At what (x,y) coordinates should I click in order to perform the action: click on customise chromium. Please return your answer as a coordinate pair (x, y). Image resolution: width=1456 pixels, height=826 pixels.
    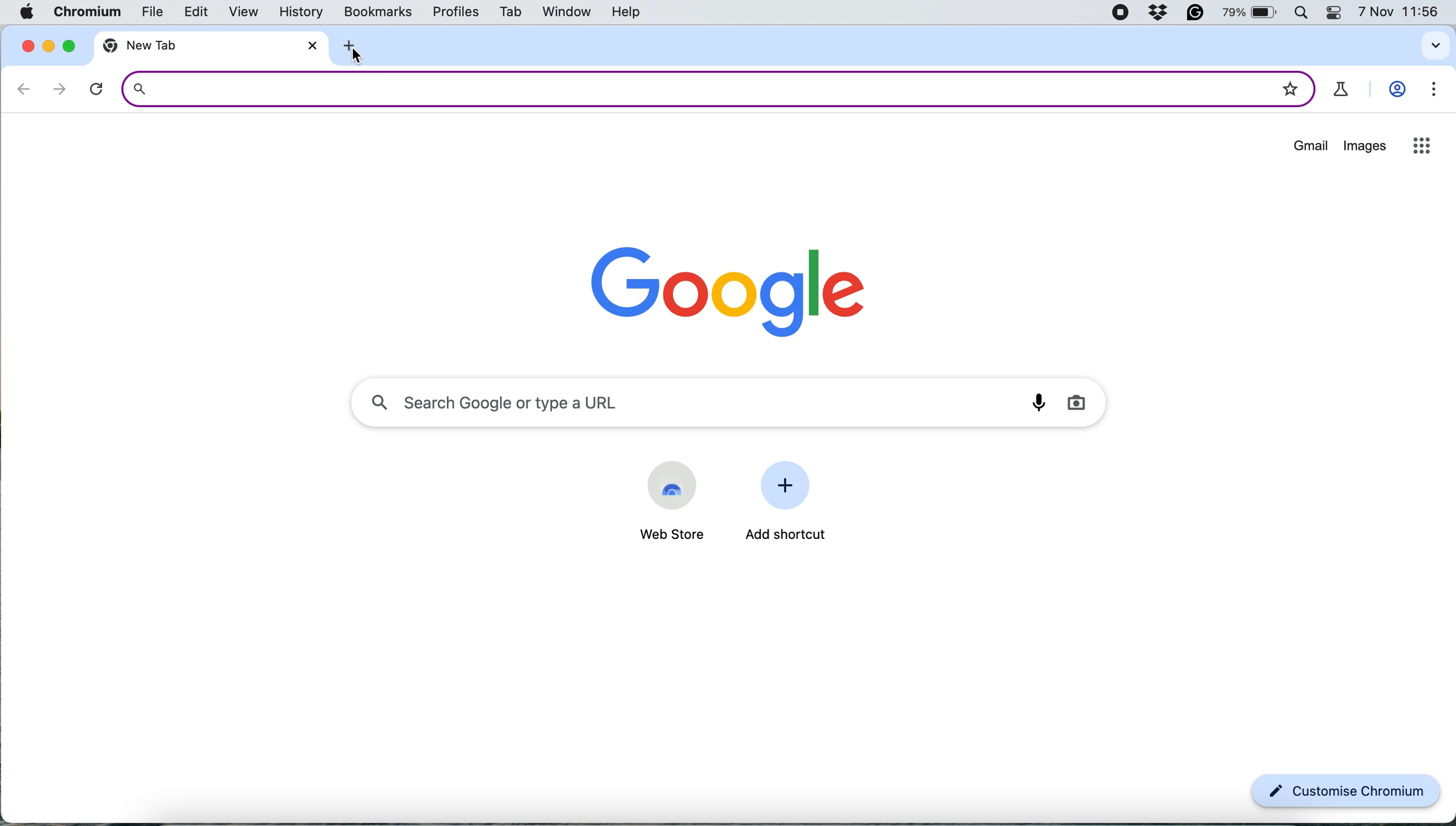
    Looking at the image, I should click on (1347, 792).